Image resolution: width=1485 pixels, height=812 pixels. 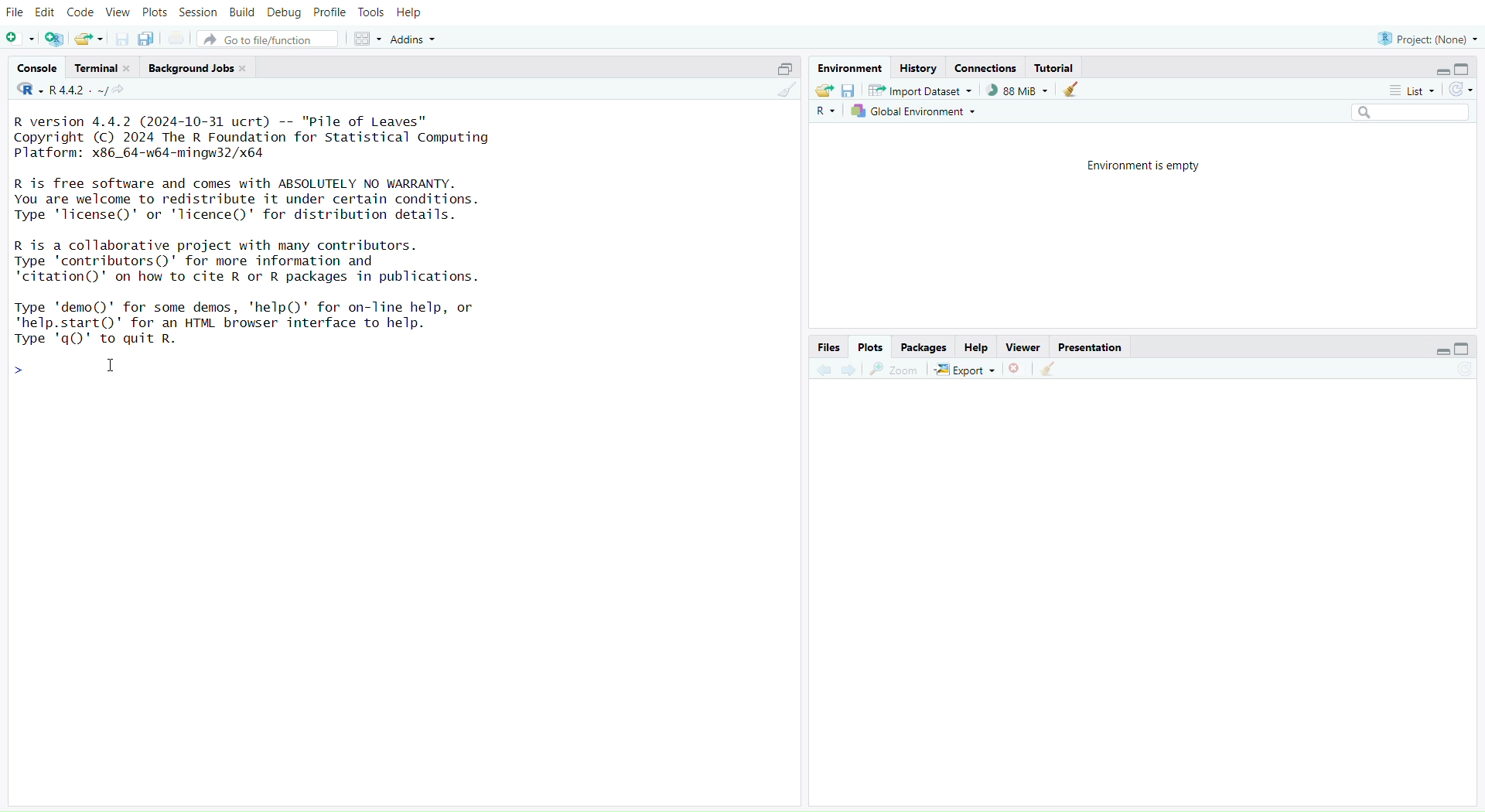 I want to click on empty plot area, so click(x=1157, y=599).